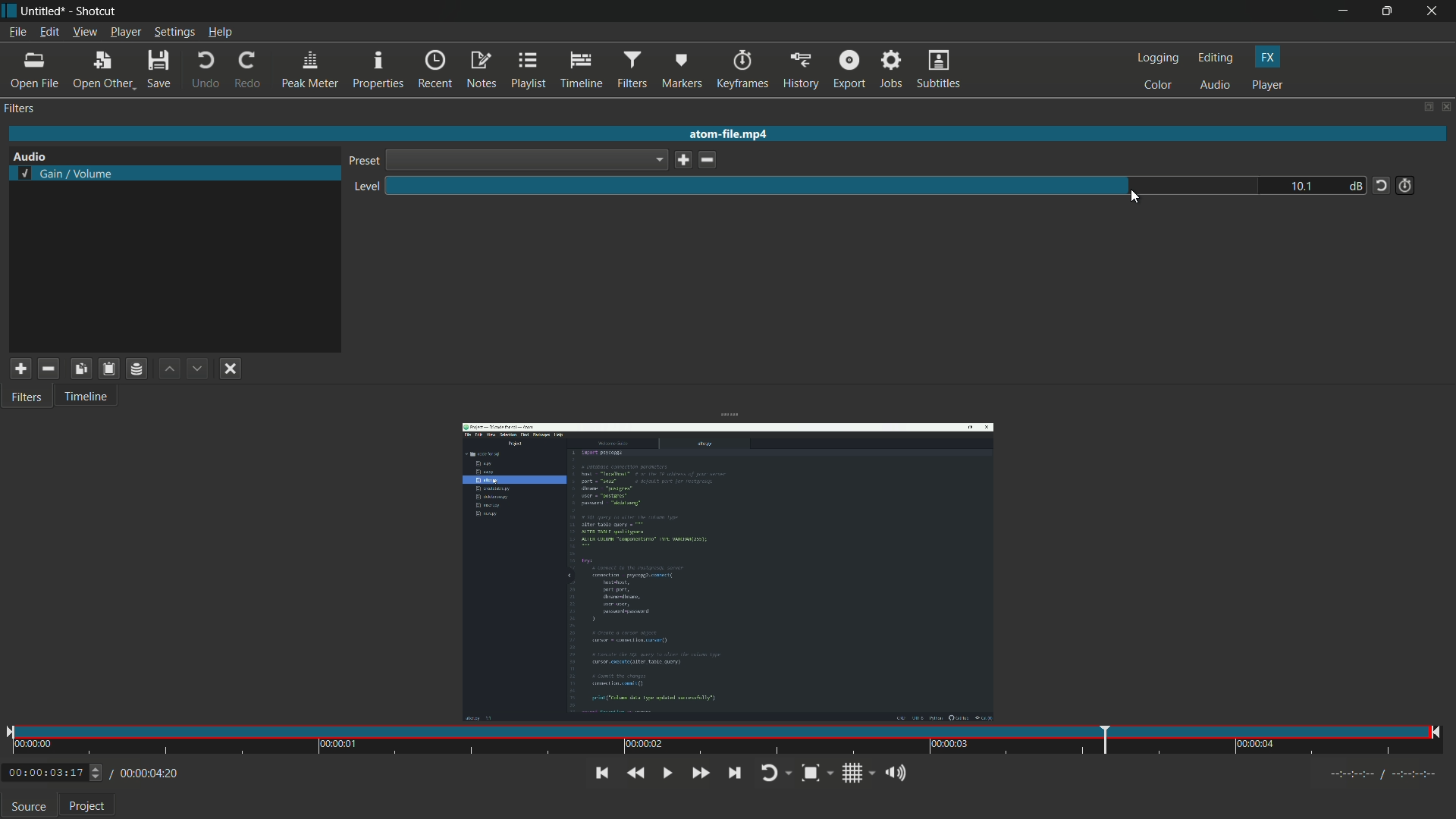 The image size is (1456, 819). I want to click on source, so click(29, 806).